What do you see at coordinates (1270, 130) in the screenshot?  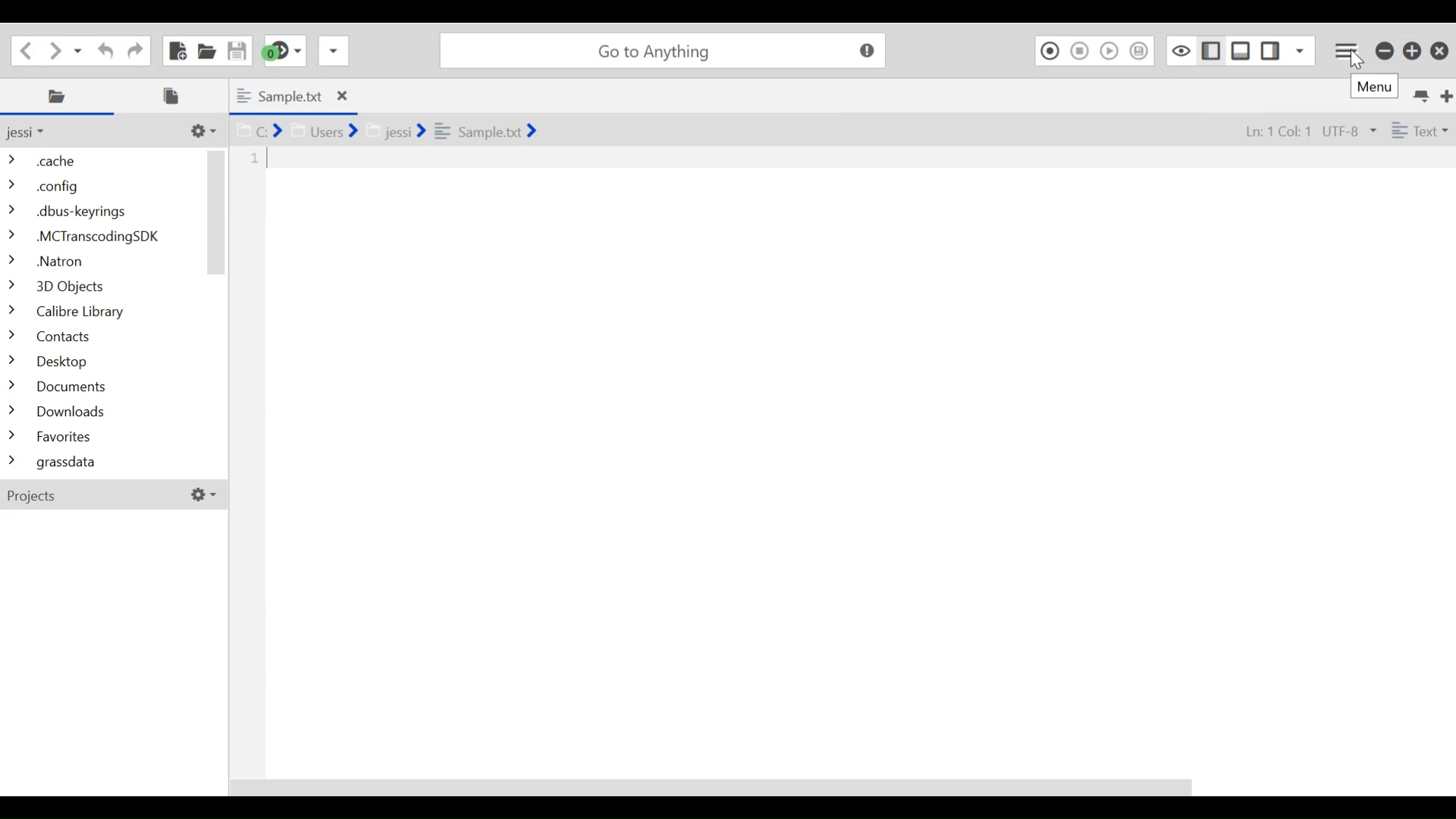 I see `File Position` at bounding box center [1270, 130].